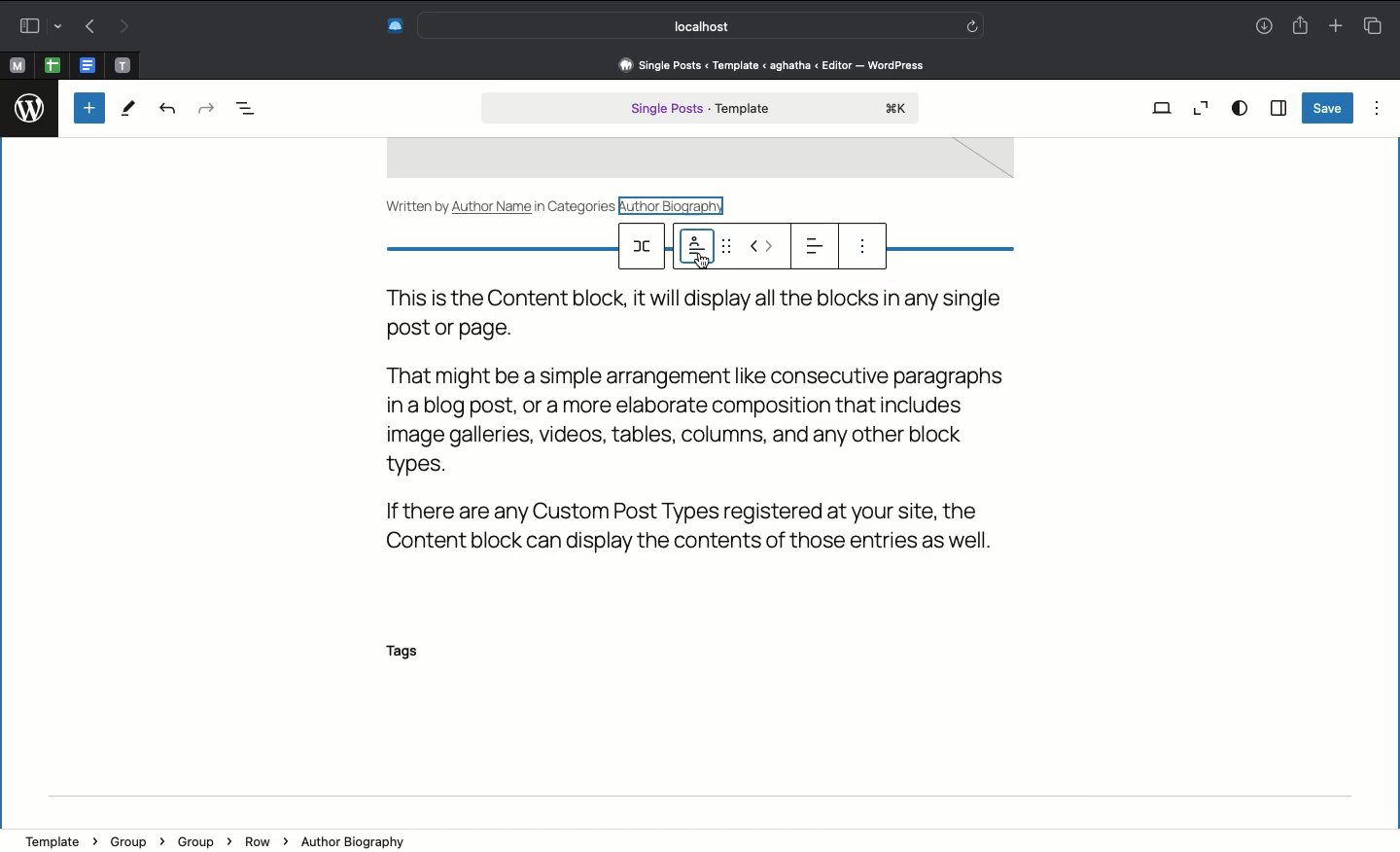  I want to click on Share, so click(1300, 26).